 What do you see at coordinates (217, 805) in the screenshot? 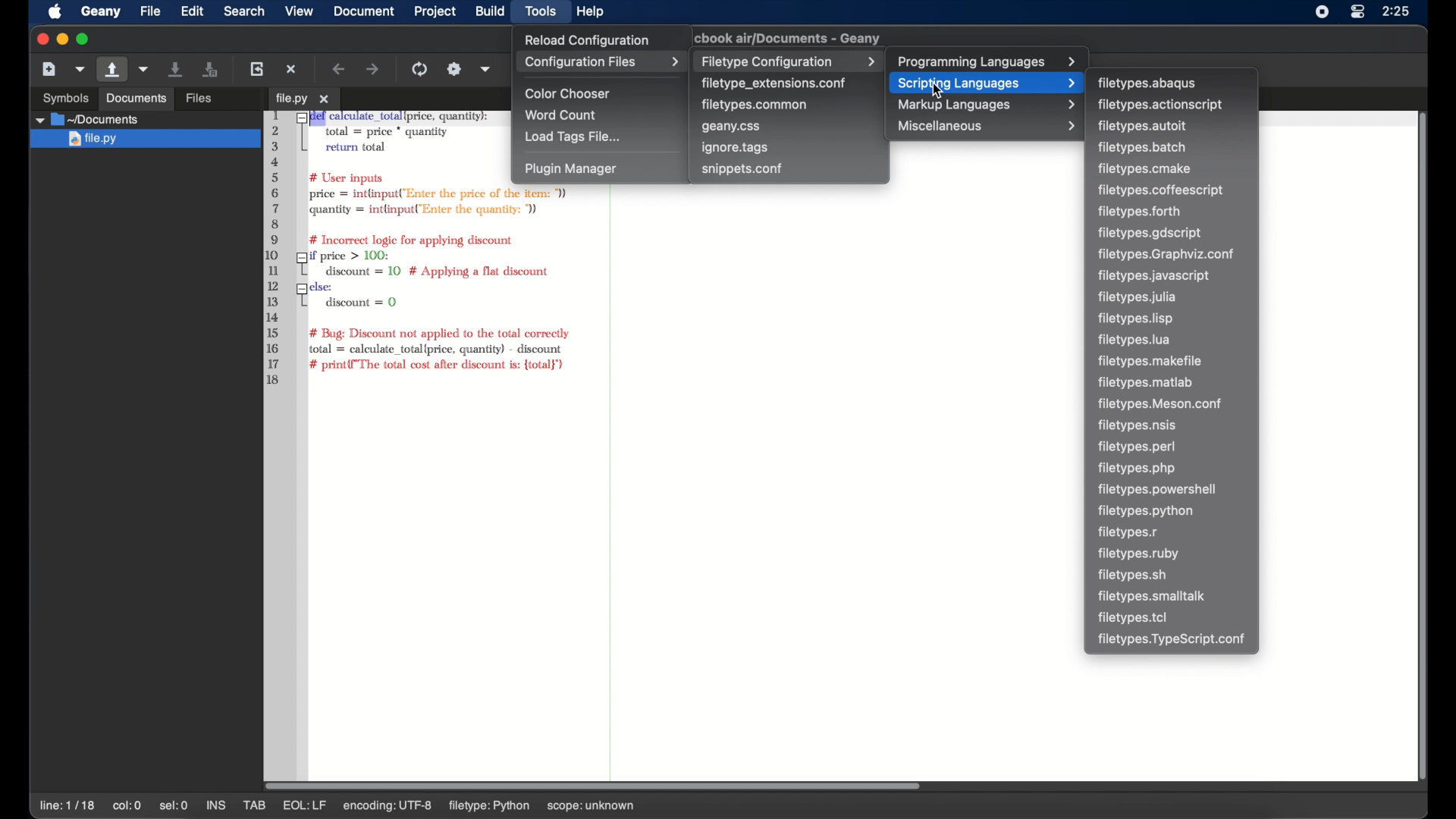
I see `ins` at bounding box center [217, 805].